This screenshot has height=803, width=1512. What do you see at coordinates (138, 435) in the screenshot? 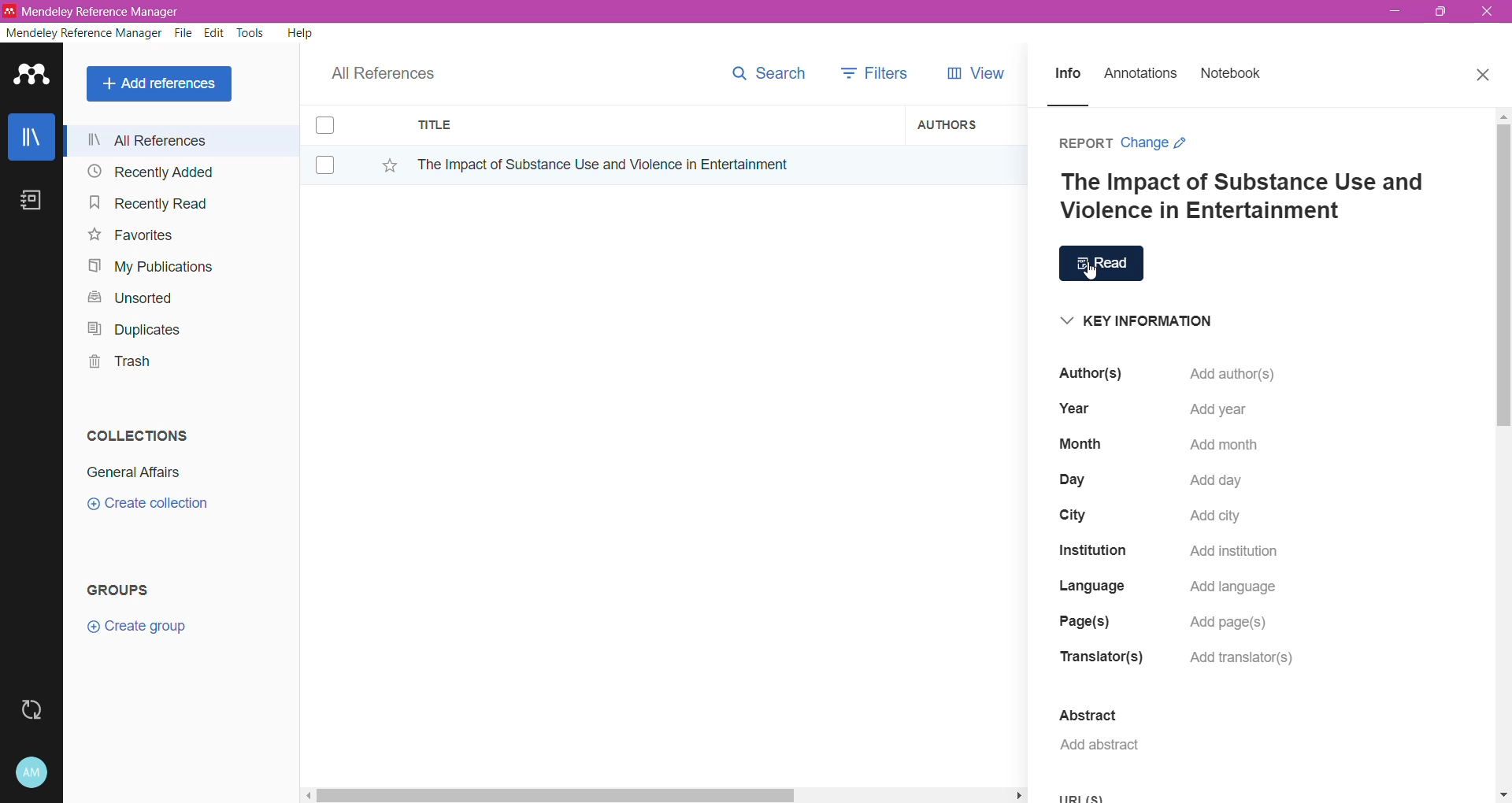
I see `Collections` at bounding box center [138, 435].